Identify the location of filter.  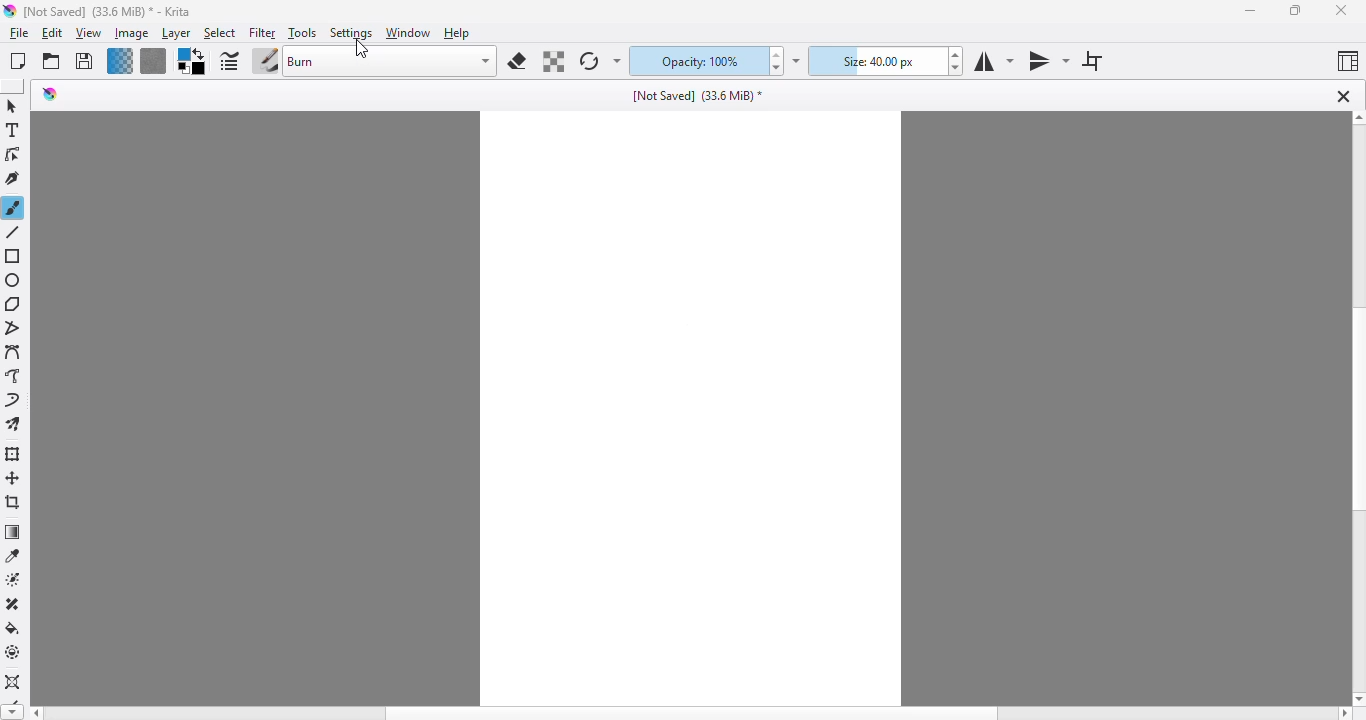
(262, 33).